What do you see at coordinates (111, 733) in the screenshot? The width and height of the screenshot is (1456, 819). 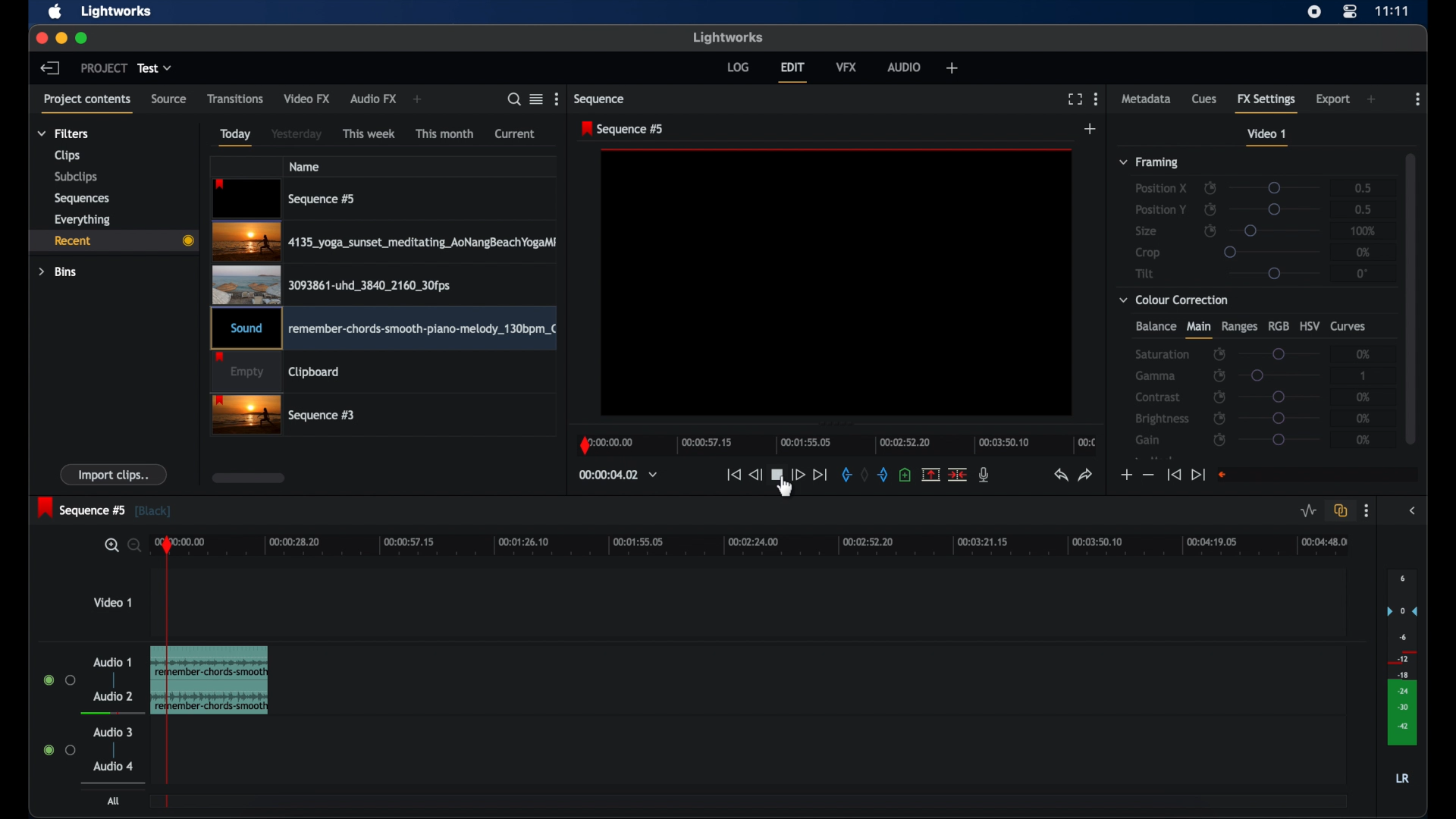 I see `audio 3` at bounding box center [111, 733].